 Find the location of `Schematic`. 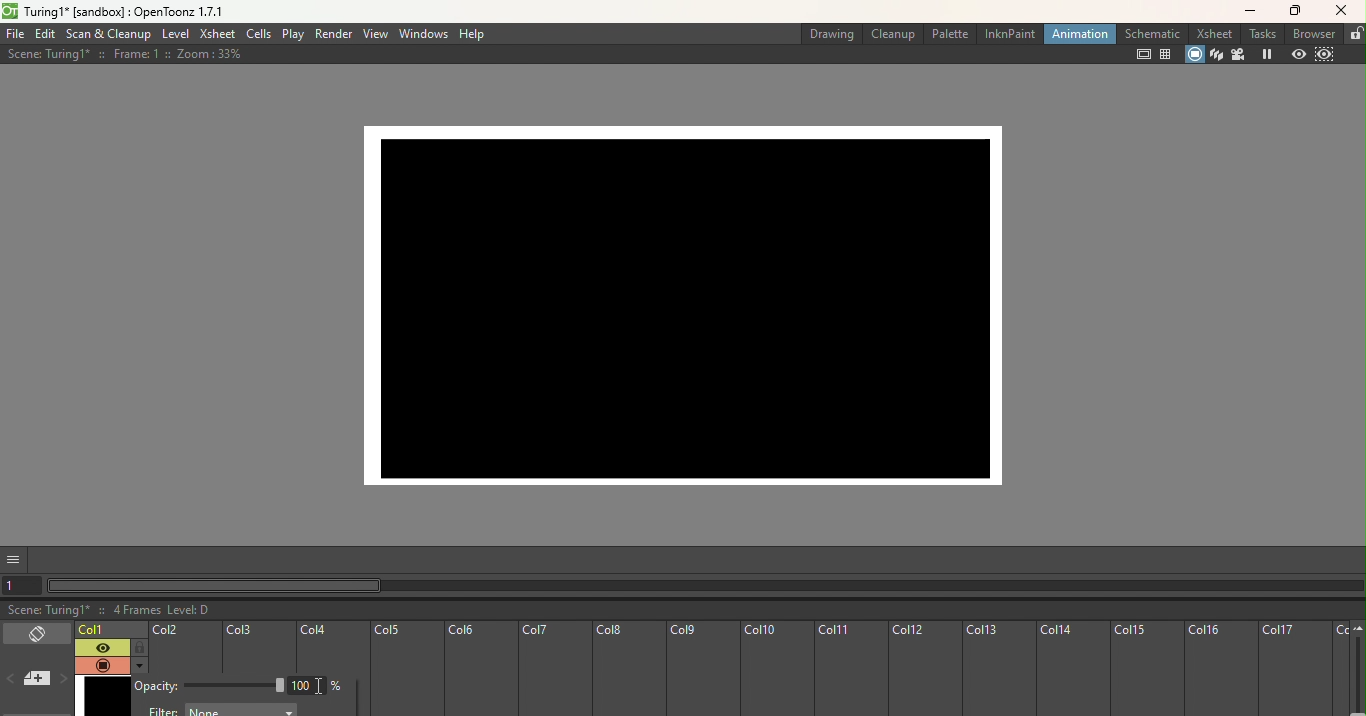

Schematic is located at coordinates (1147, 33).